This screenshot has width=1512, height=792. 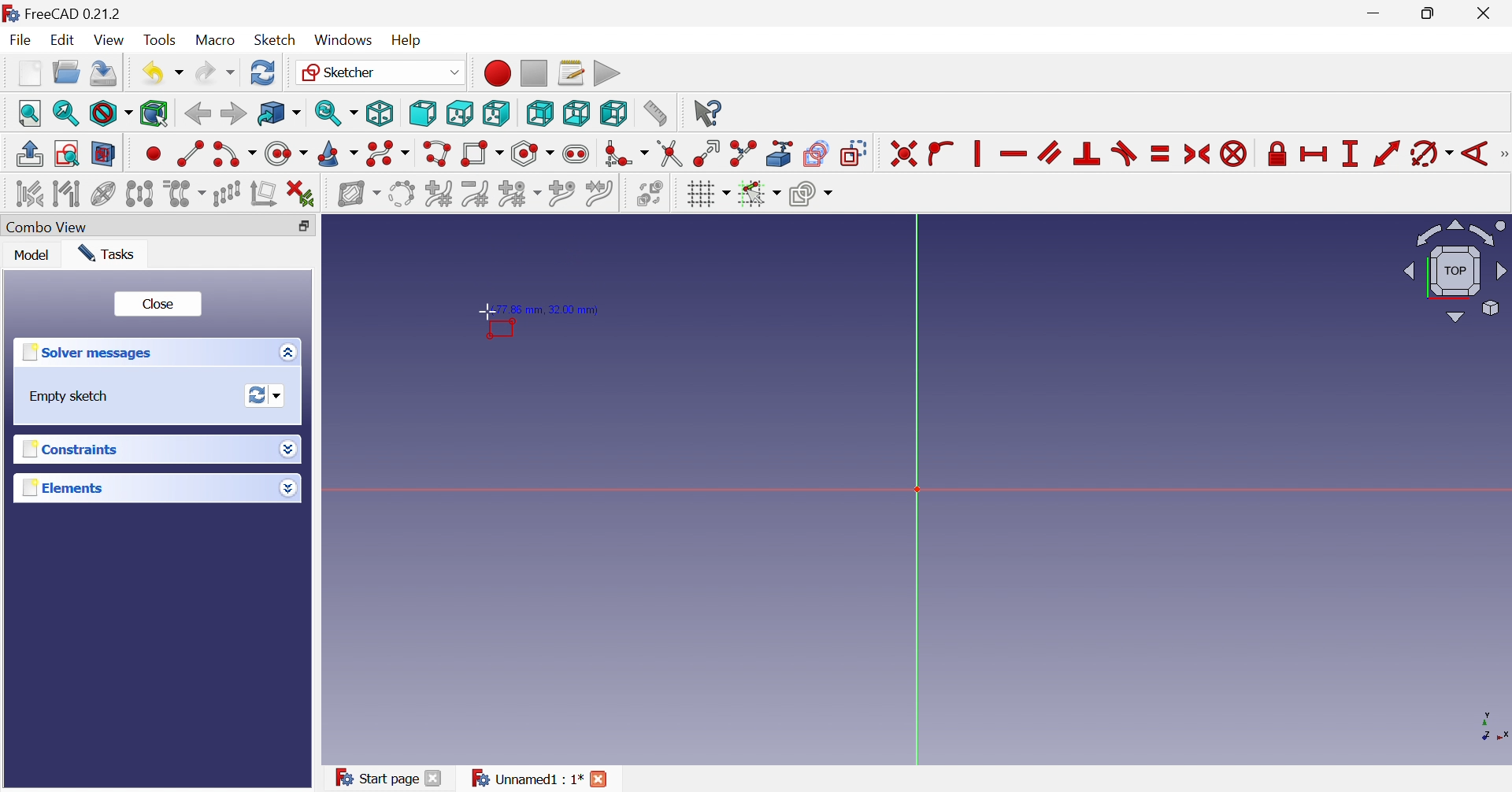 I want to click on Constraints, so click(x=67, y=451).